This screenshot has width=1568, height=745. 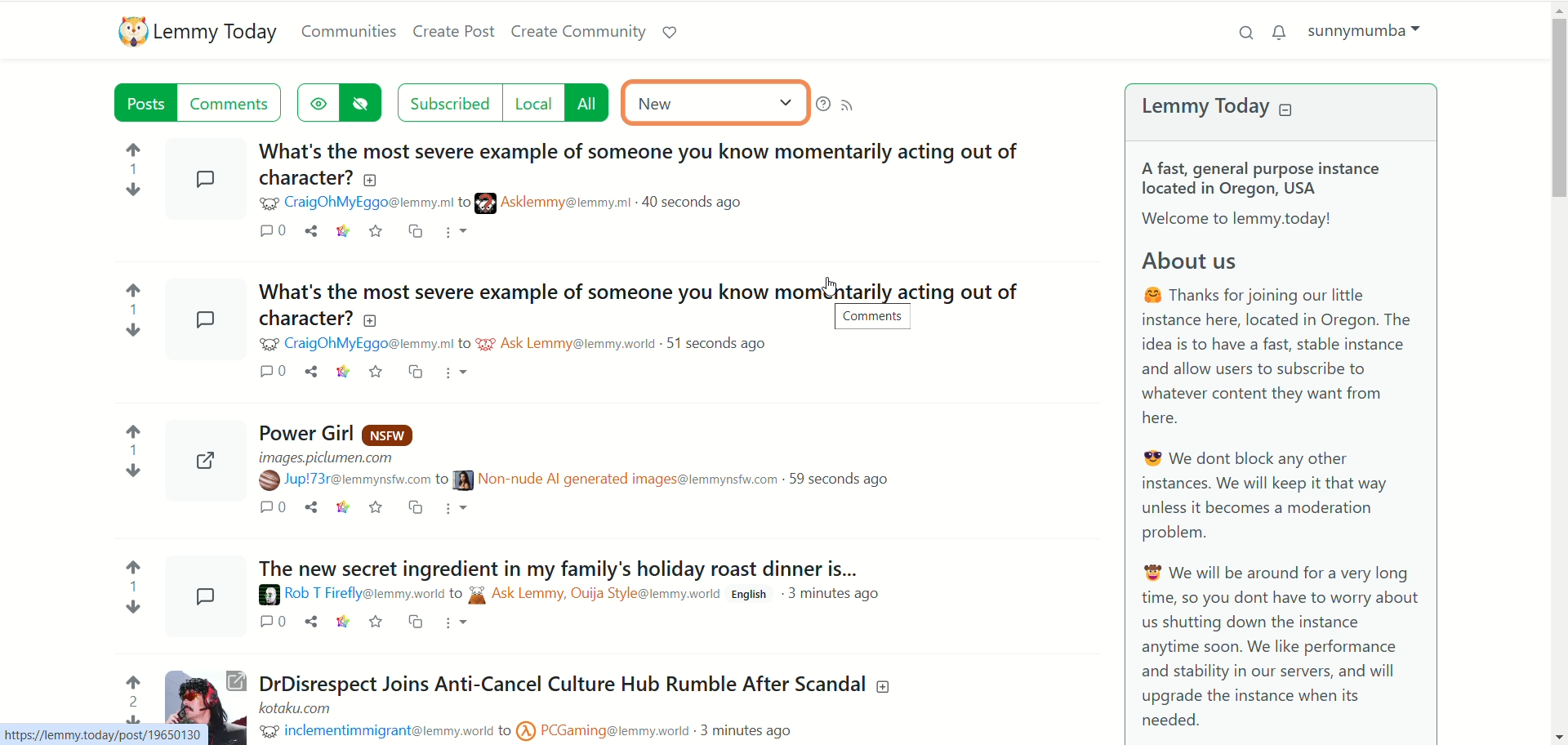 What do you see at coordinates (131, 303) in the screenshot?
I see `vote` at bounding box center [131, 303].